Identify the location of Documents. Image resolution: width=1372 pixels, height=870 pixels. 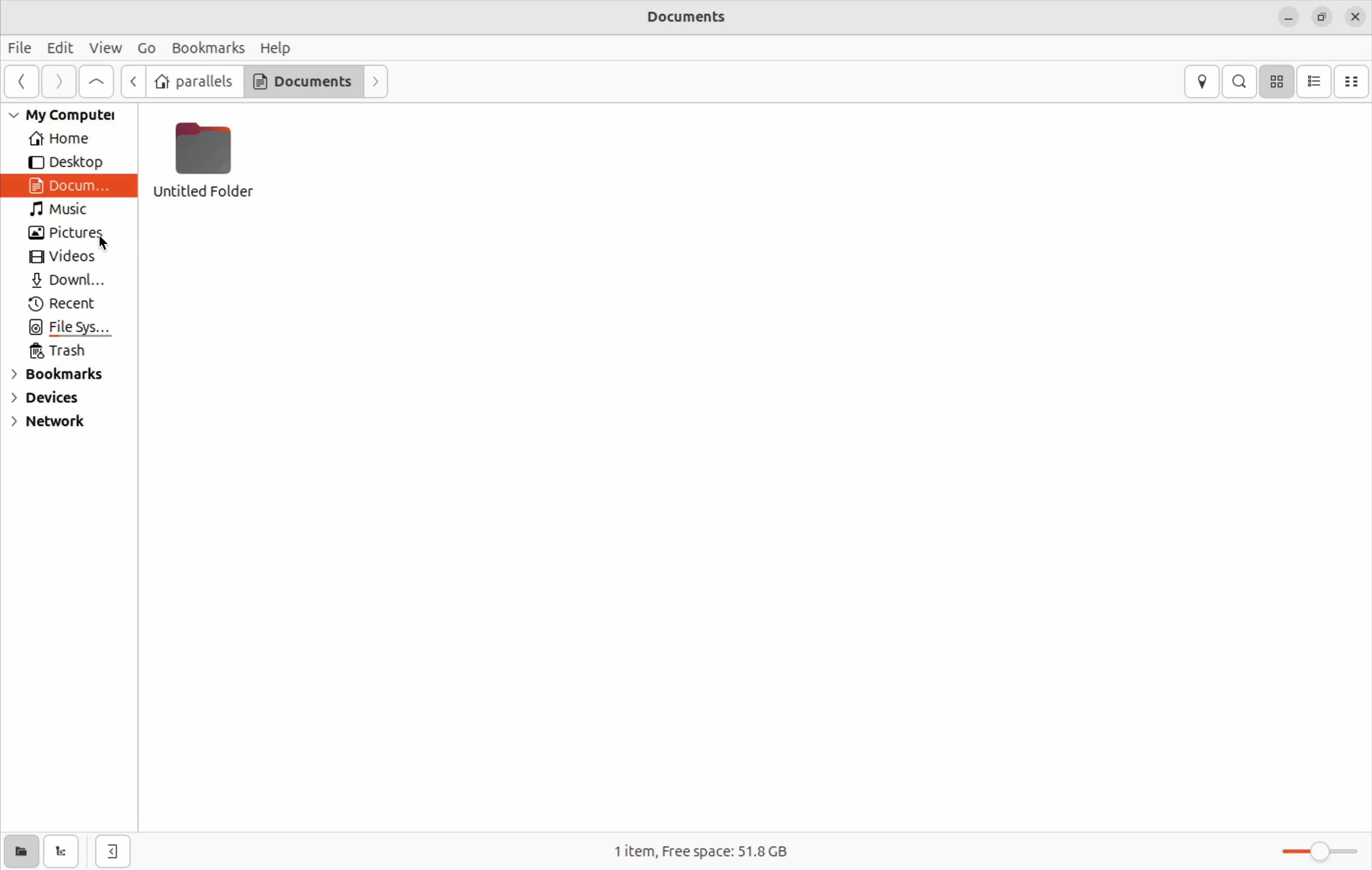
(693, 18).